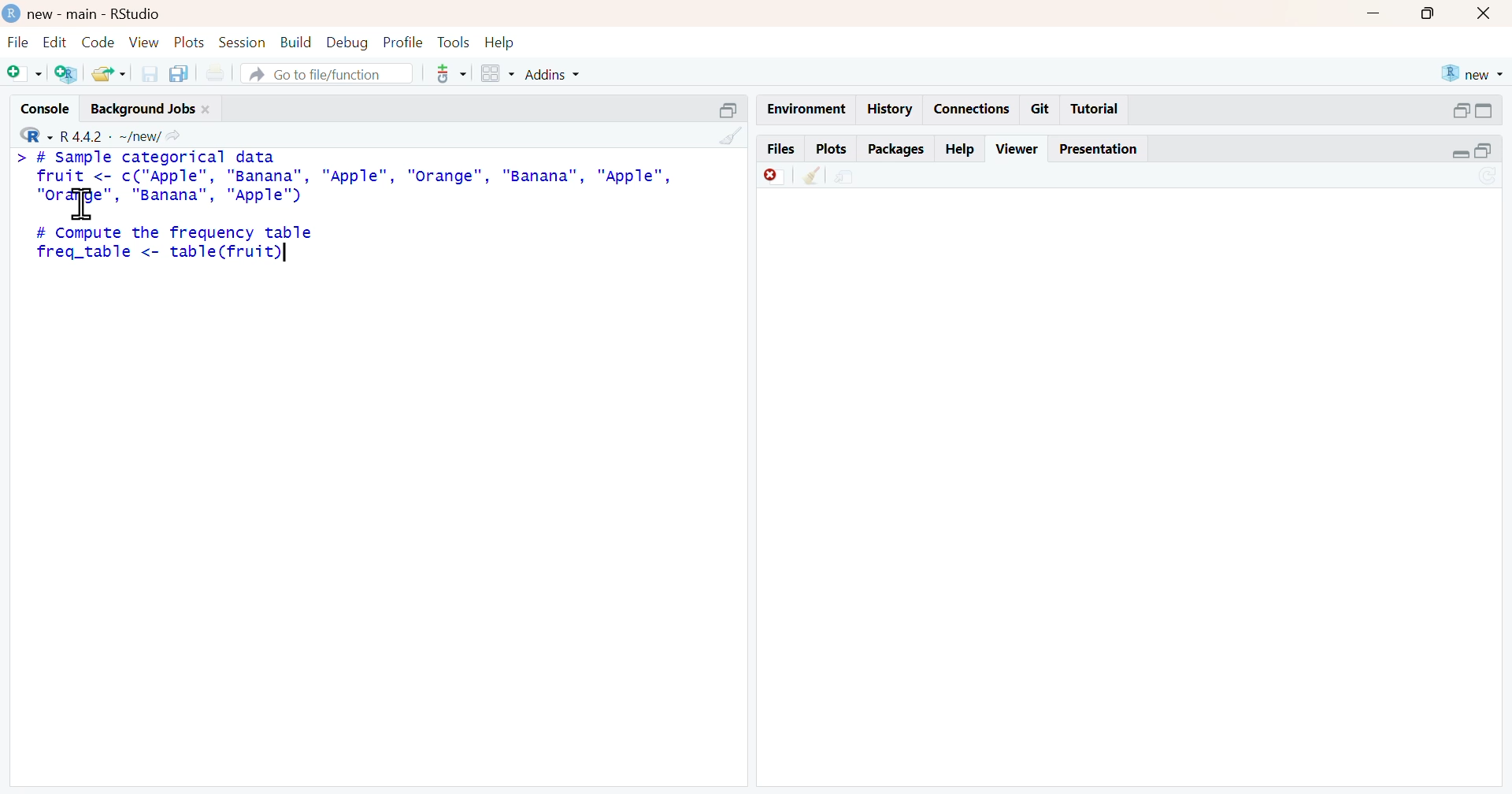 The image size is (1512, 794). What do you see at coordinates (809, 106) in the screenshot?
I see `environment` at bounding box center [809, 106].